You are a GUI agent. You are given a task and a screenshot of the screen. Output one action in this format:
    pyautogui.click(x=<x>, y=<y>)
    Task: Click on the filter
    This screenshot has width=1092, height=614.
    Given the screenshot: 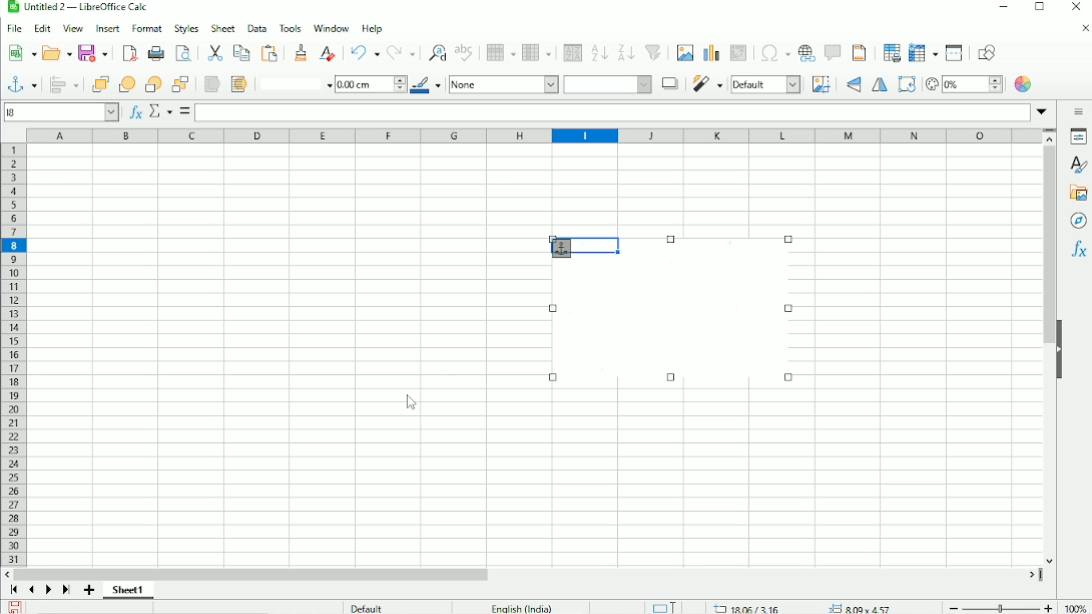 What is the action you would take?
    pyautogui.click(x=707, y=85)
    